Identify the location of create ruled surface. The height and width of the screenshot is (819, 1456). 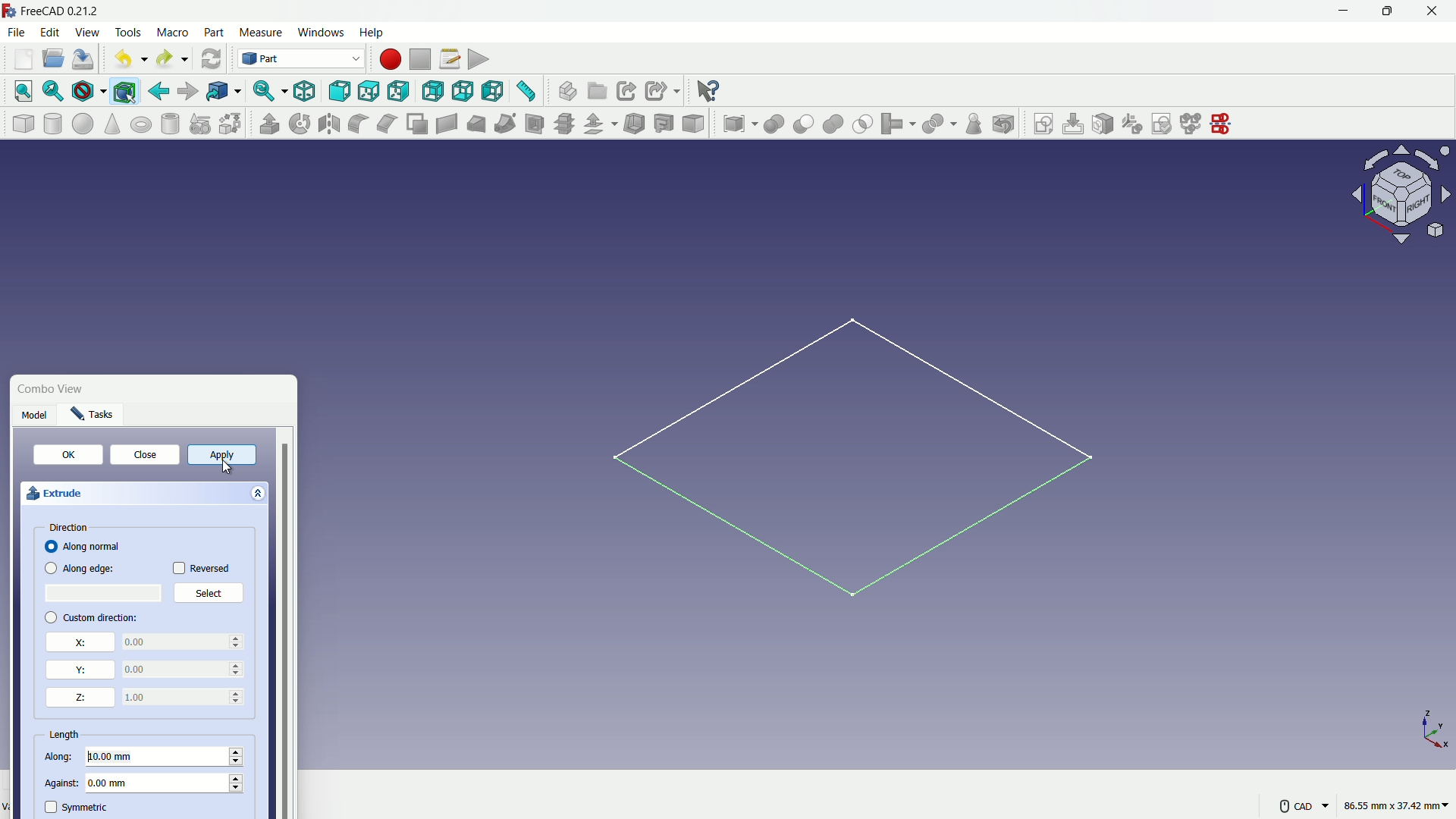
(447, 122).